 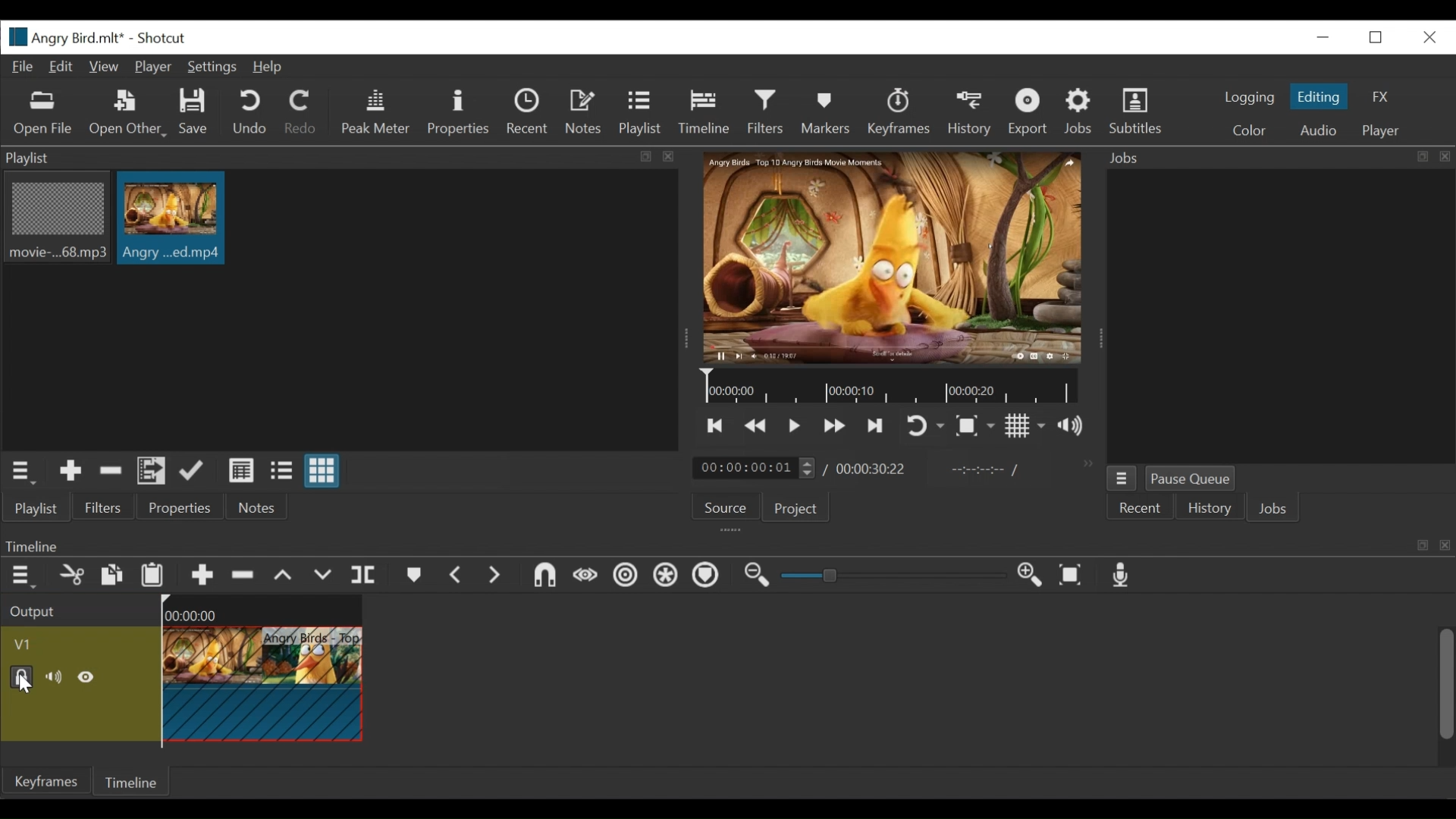 What do you see at coordinates (995, 469) in the screenshot?
I see `in point` at bounding box center [995, 469].